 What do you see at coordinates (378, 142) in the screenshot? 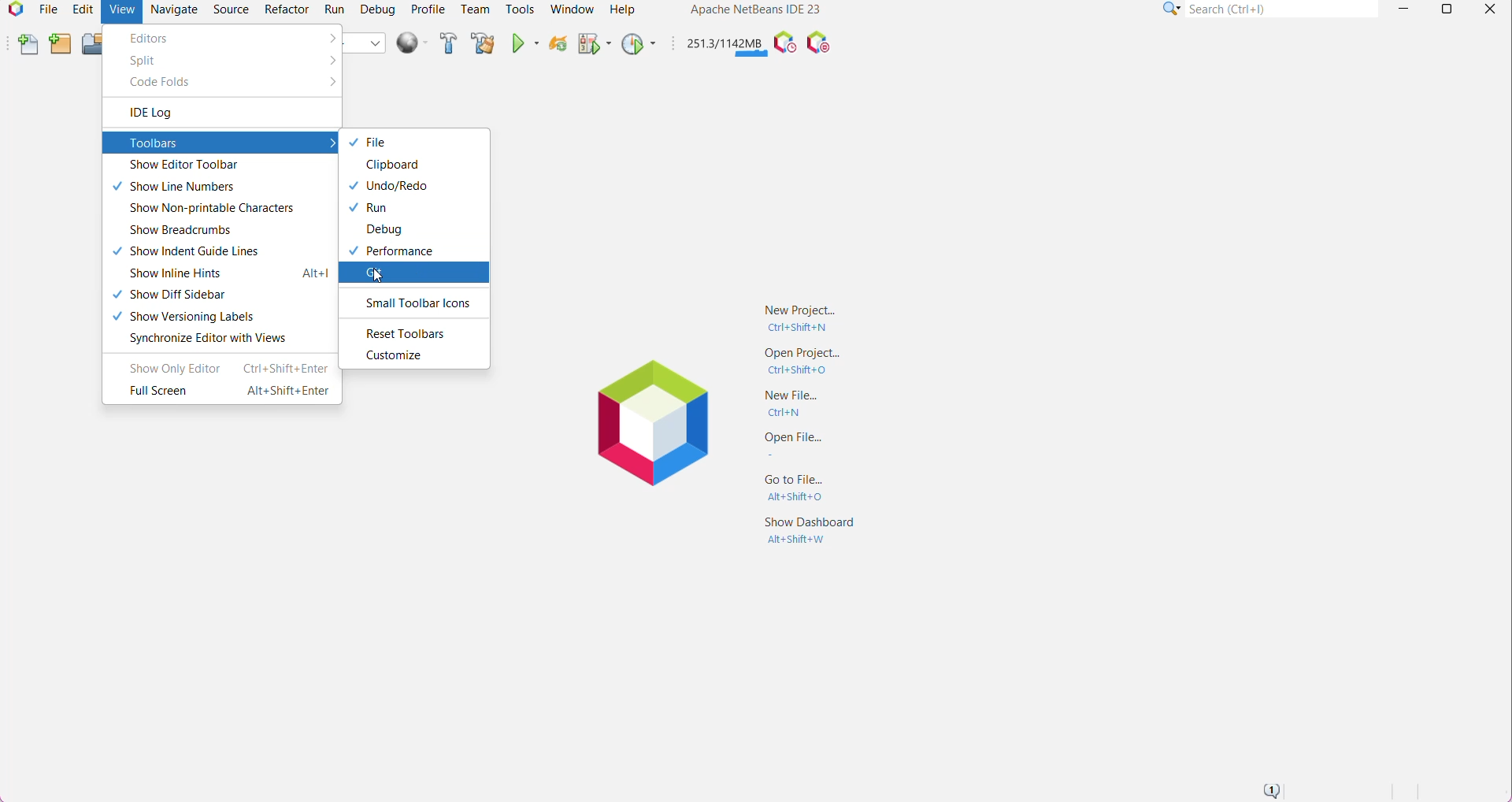
I see `File` at bounding box center [378, 142].